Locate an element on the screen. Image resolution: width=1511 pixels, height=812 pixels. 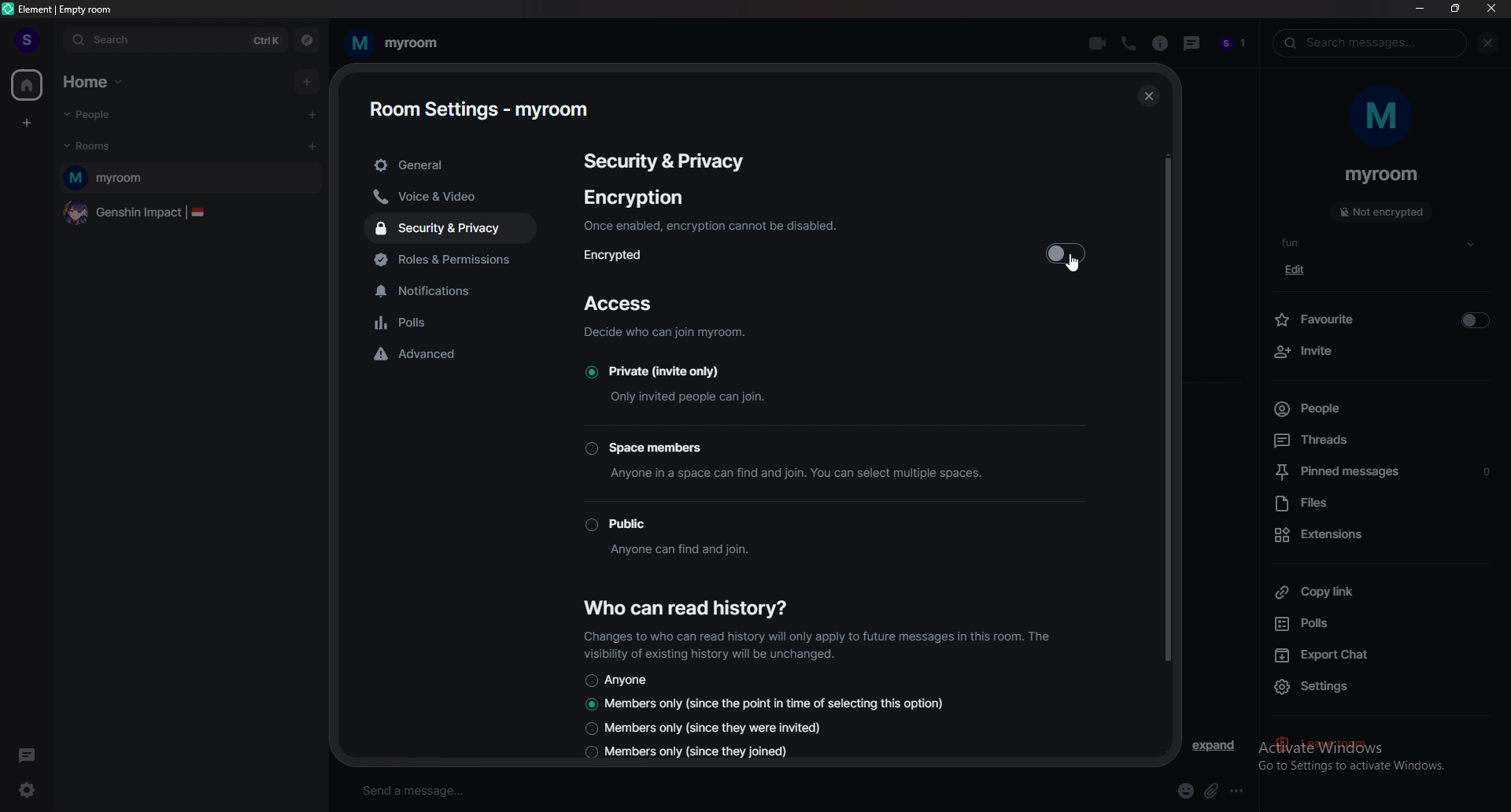
explore rooms is located at coordinates (307, 40).